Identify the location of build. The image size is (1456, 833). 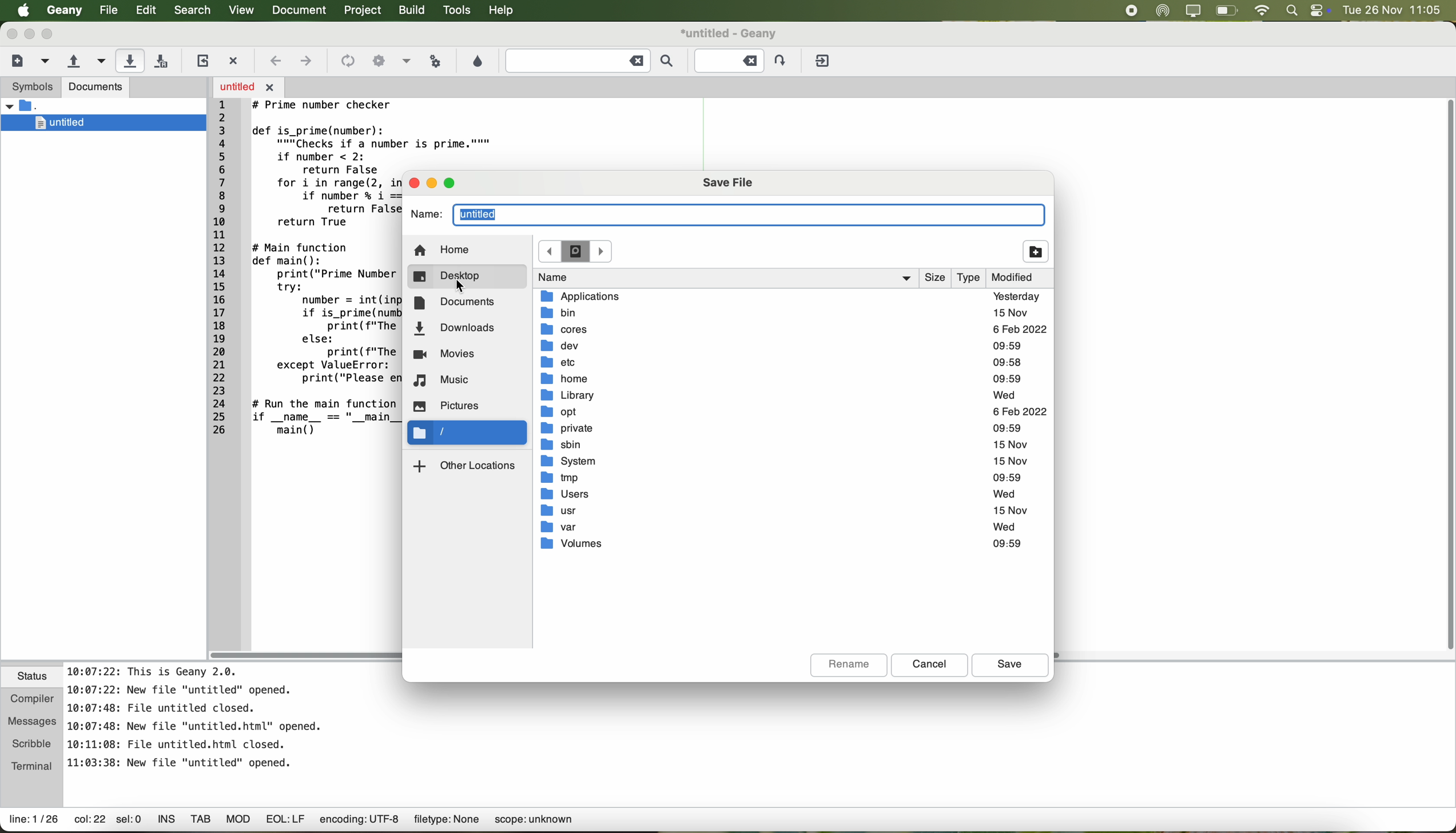
(413, 11).